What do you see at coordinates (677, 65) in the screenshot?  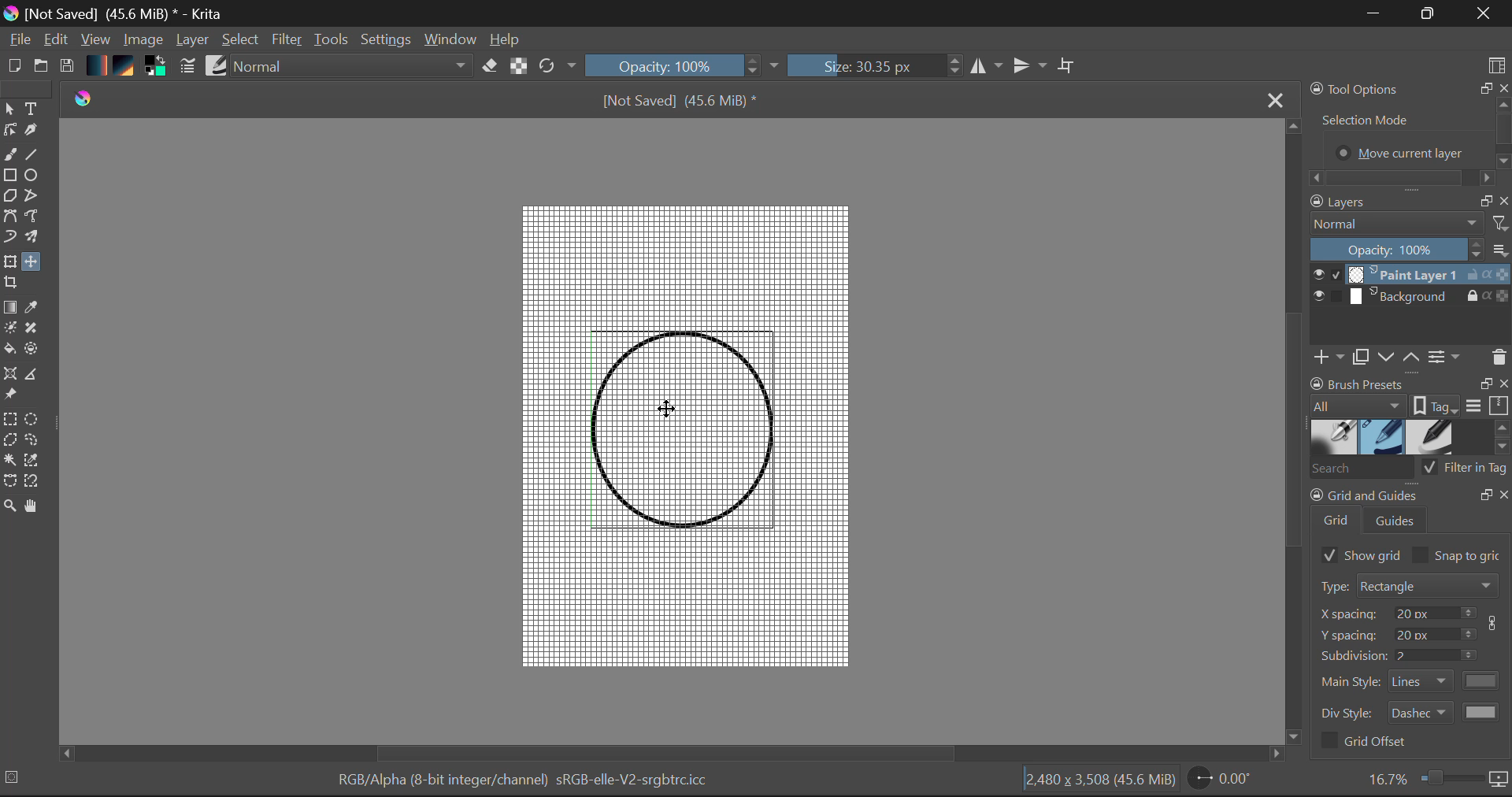 I see `Brush Stroke Opacity` at bounding box center [677, 65].